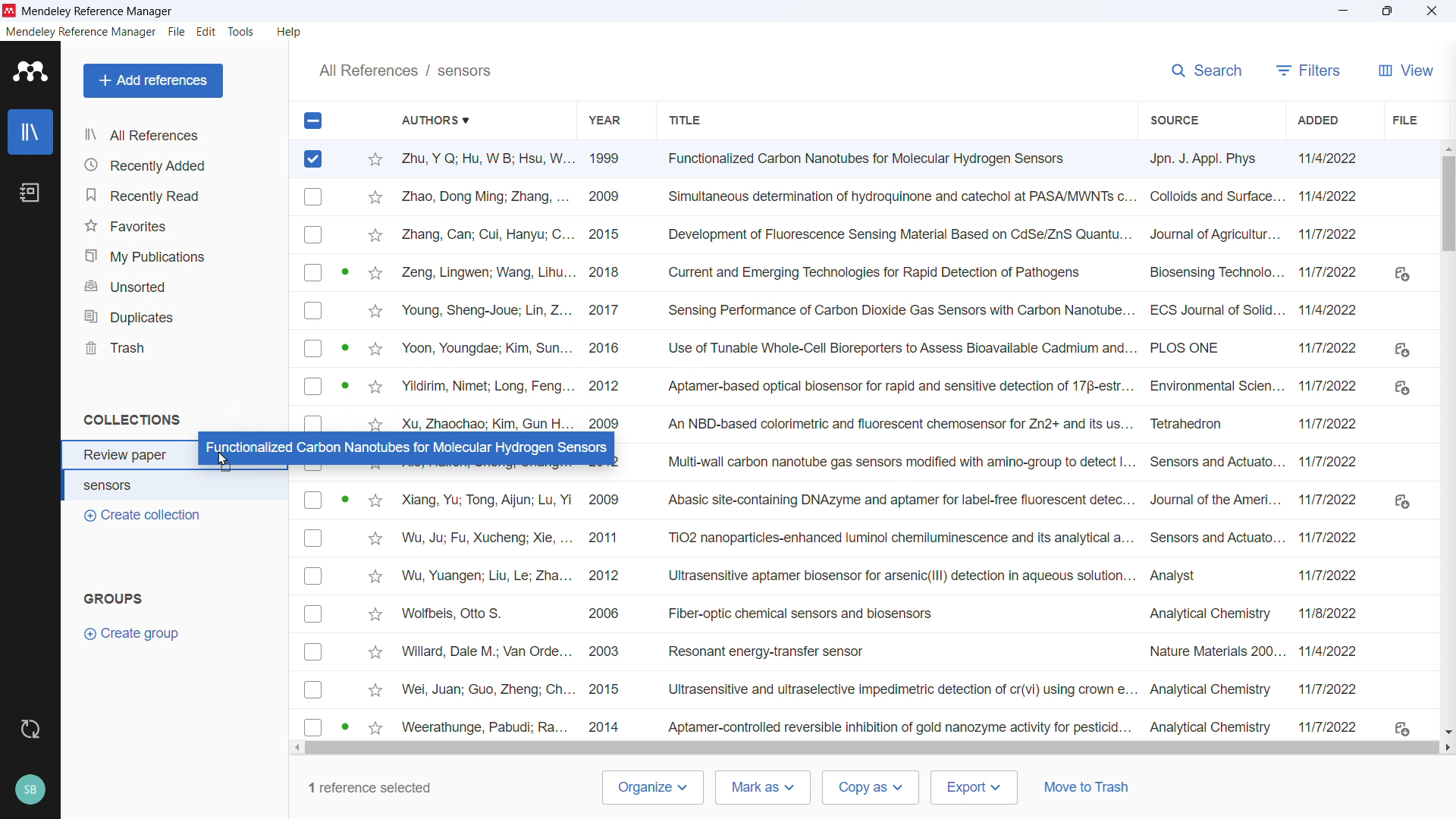 This screenshot has width=1456, height=819. Describe the element at coordinates (1172, 119) in the screenshot. I see `Sort by sources ` at that location.